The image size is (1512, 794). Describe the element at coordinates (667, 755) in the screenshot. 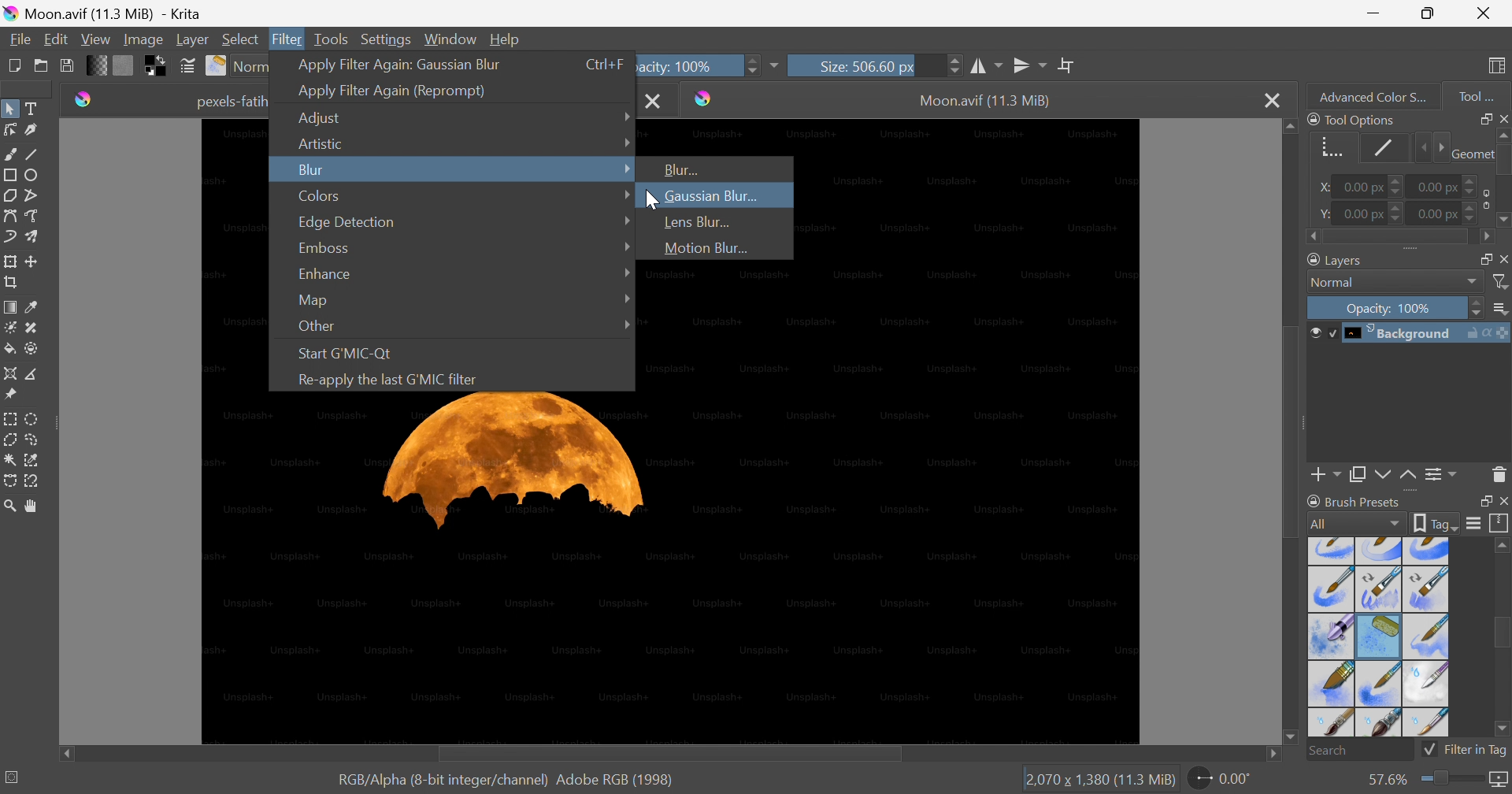

I see `Scroll bar` at that location.